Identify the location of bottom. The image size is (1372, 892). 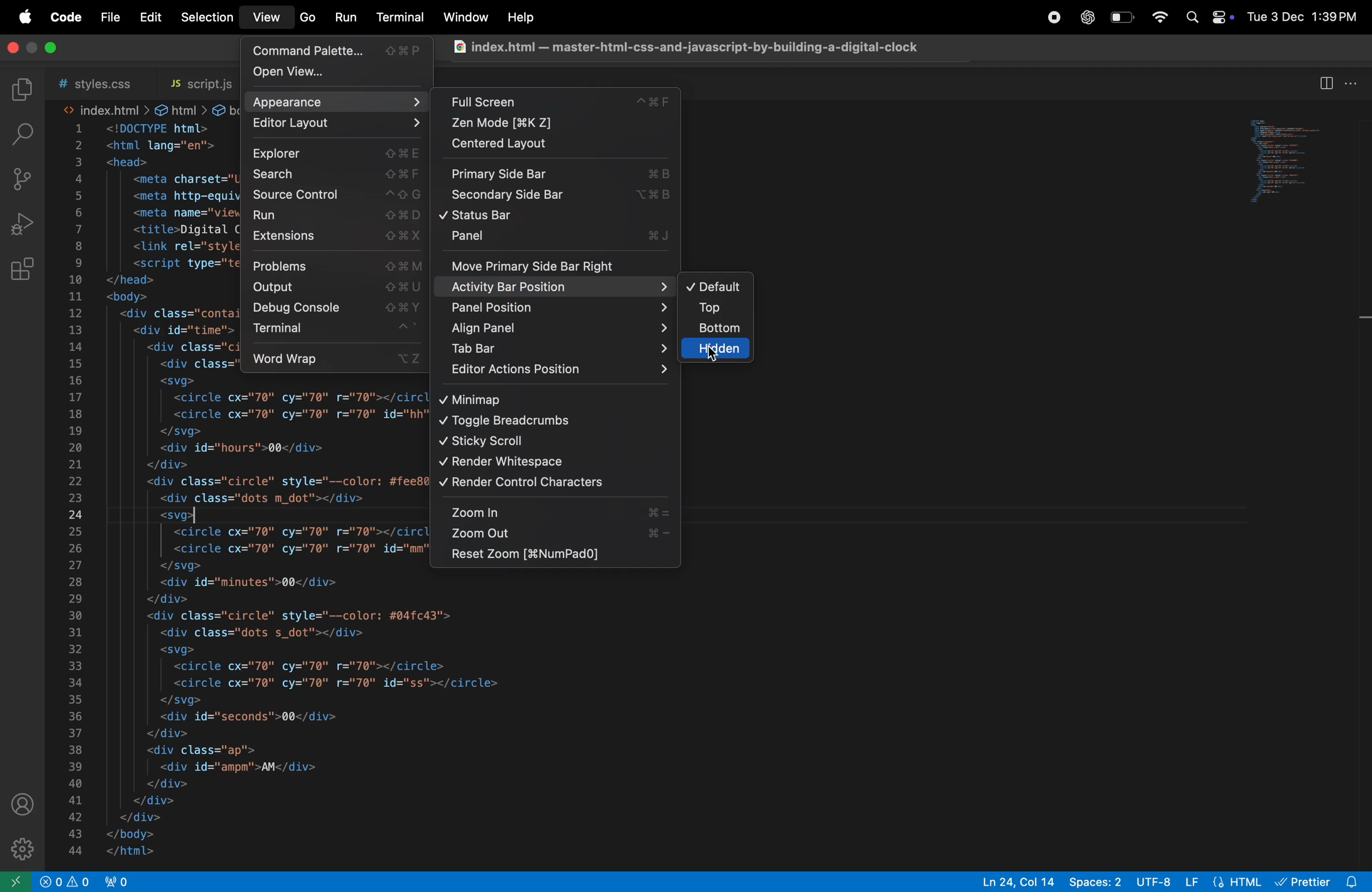
(719, 329).